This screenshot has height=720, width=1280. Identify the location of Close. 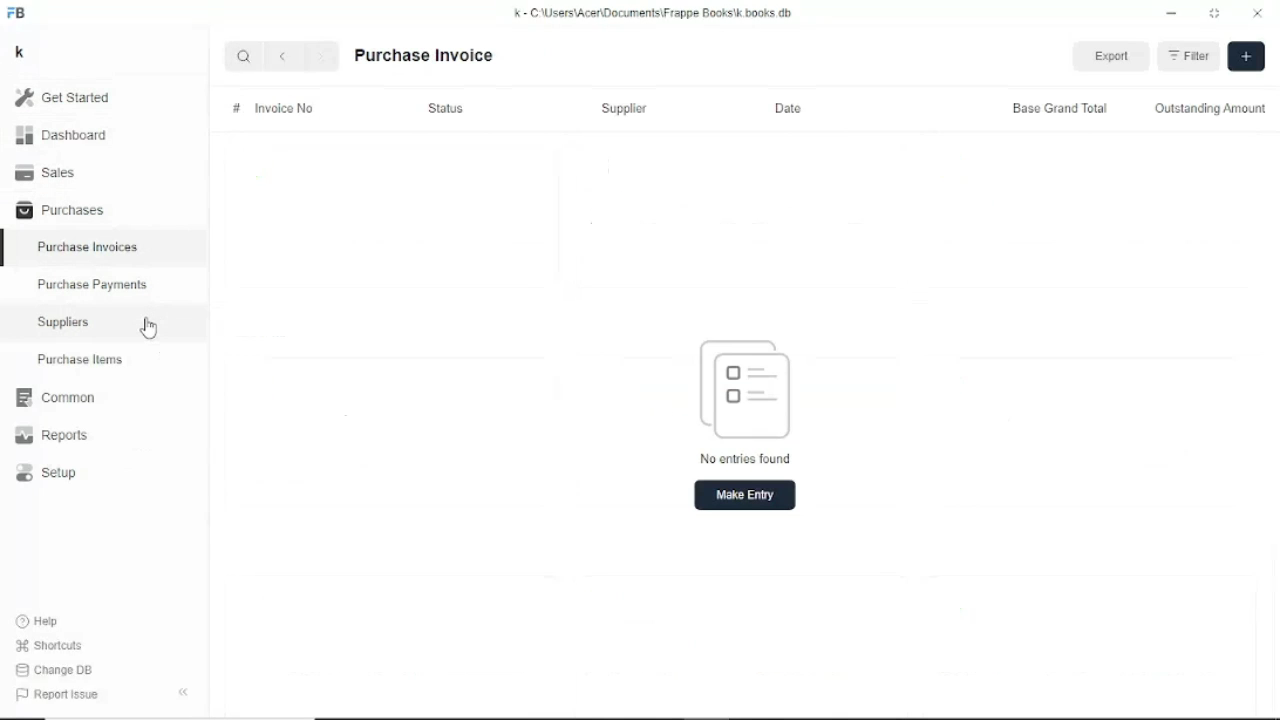
(1257, 13).